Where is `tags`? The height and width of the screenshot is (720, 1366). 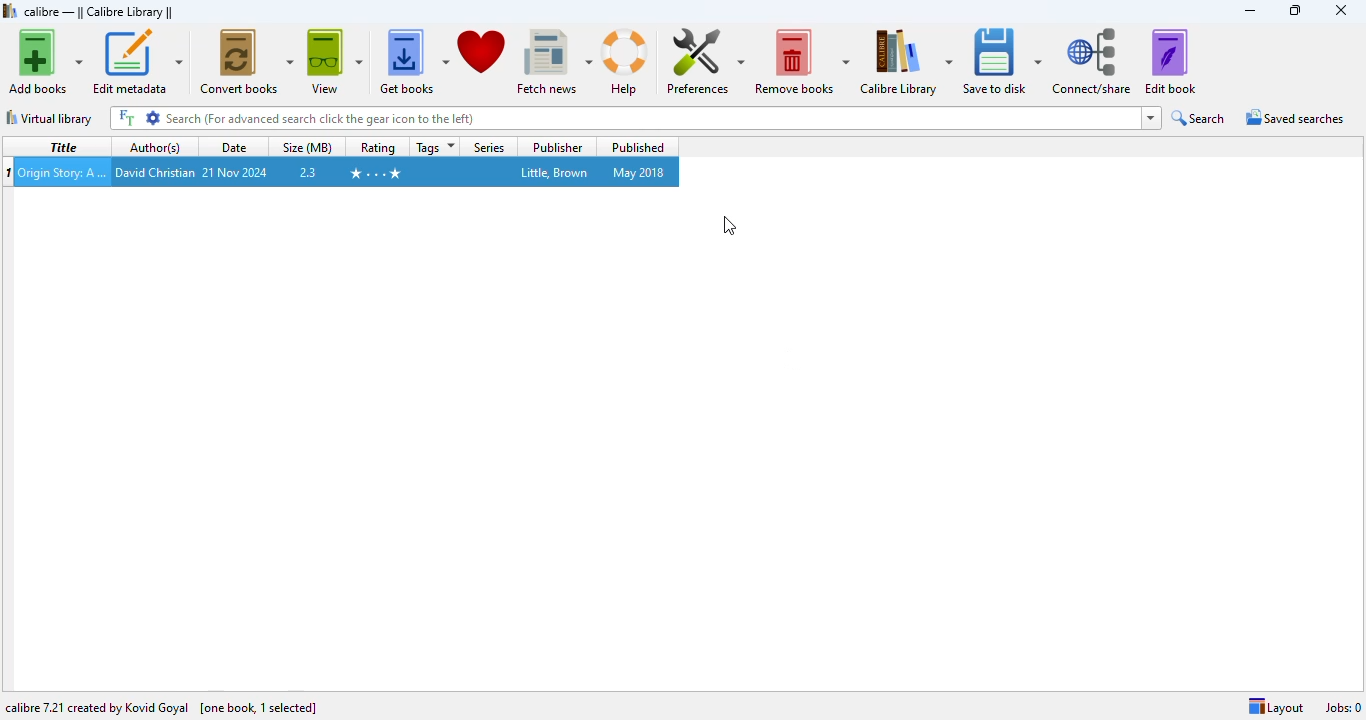 tags is located at coordinates (436, 147).